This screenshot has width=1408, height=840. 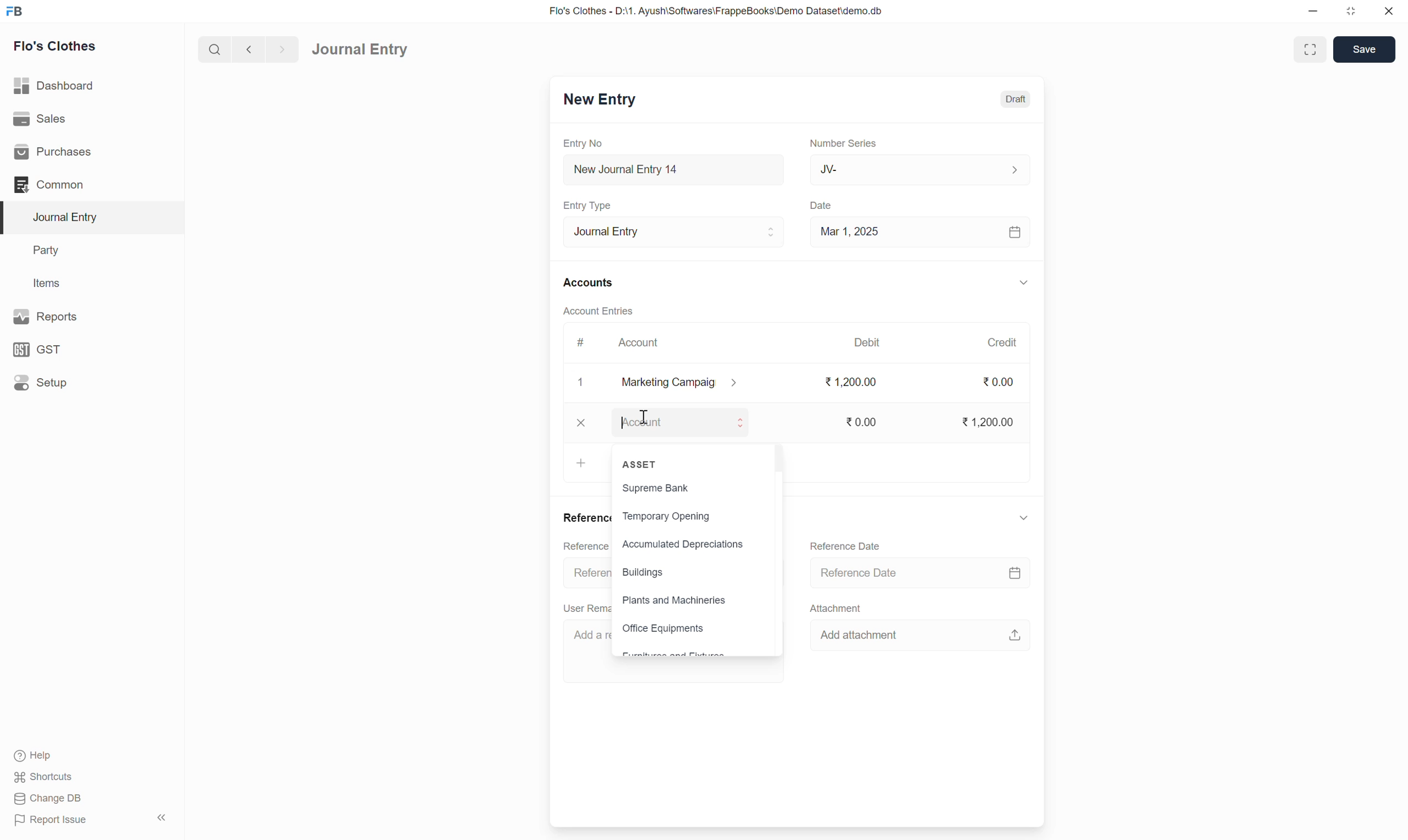 I want to click on Reference, so click(x=583, y=545).